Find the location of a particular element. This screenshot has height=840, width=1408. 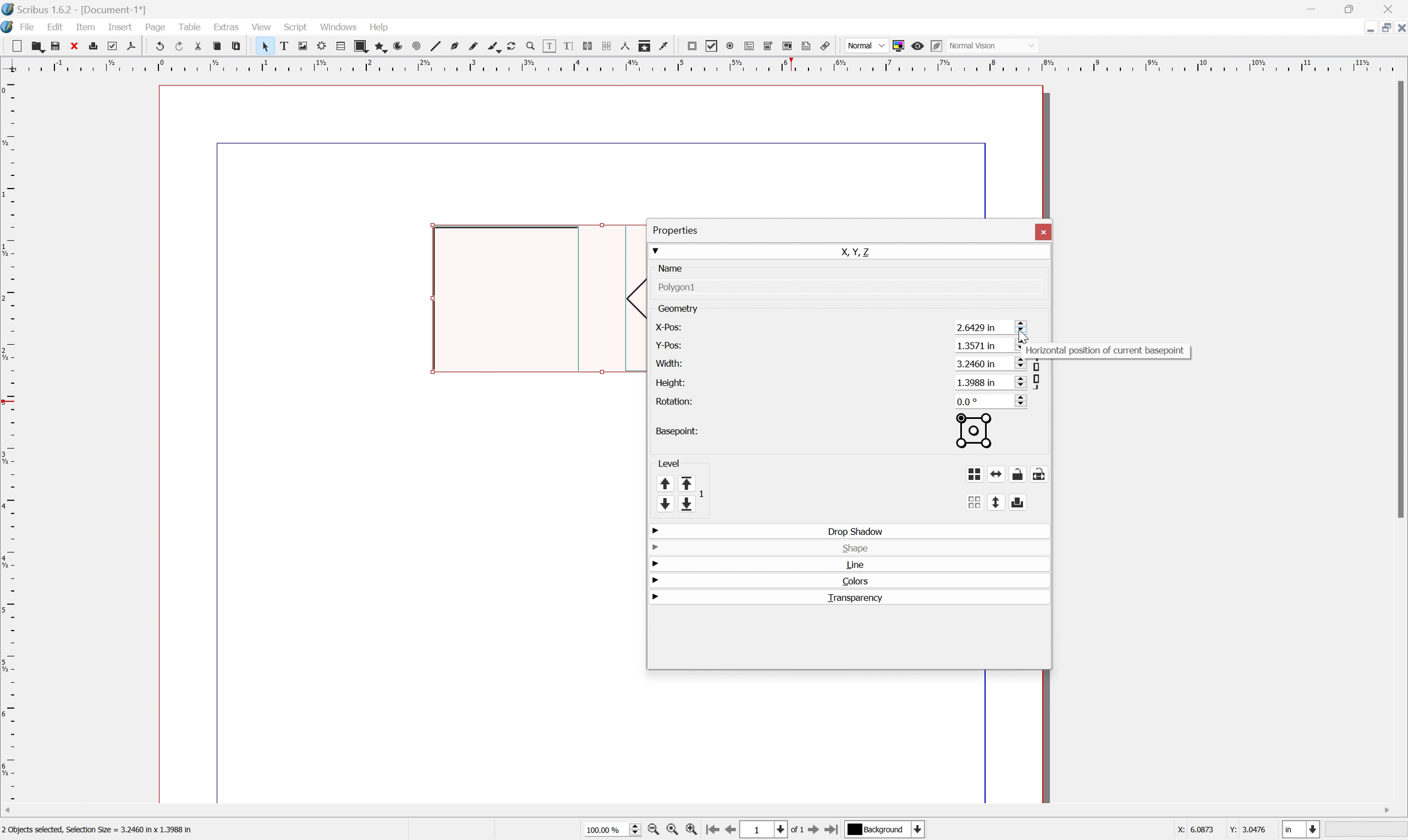

pdf radio box is located at coordinates (728, 45).